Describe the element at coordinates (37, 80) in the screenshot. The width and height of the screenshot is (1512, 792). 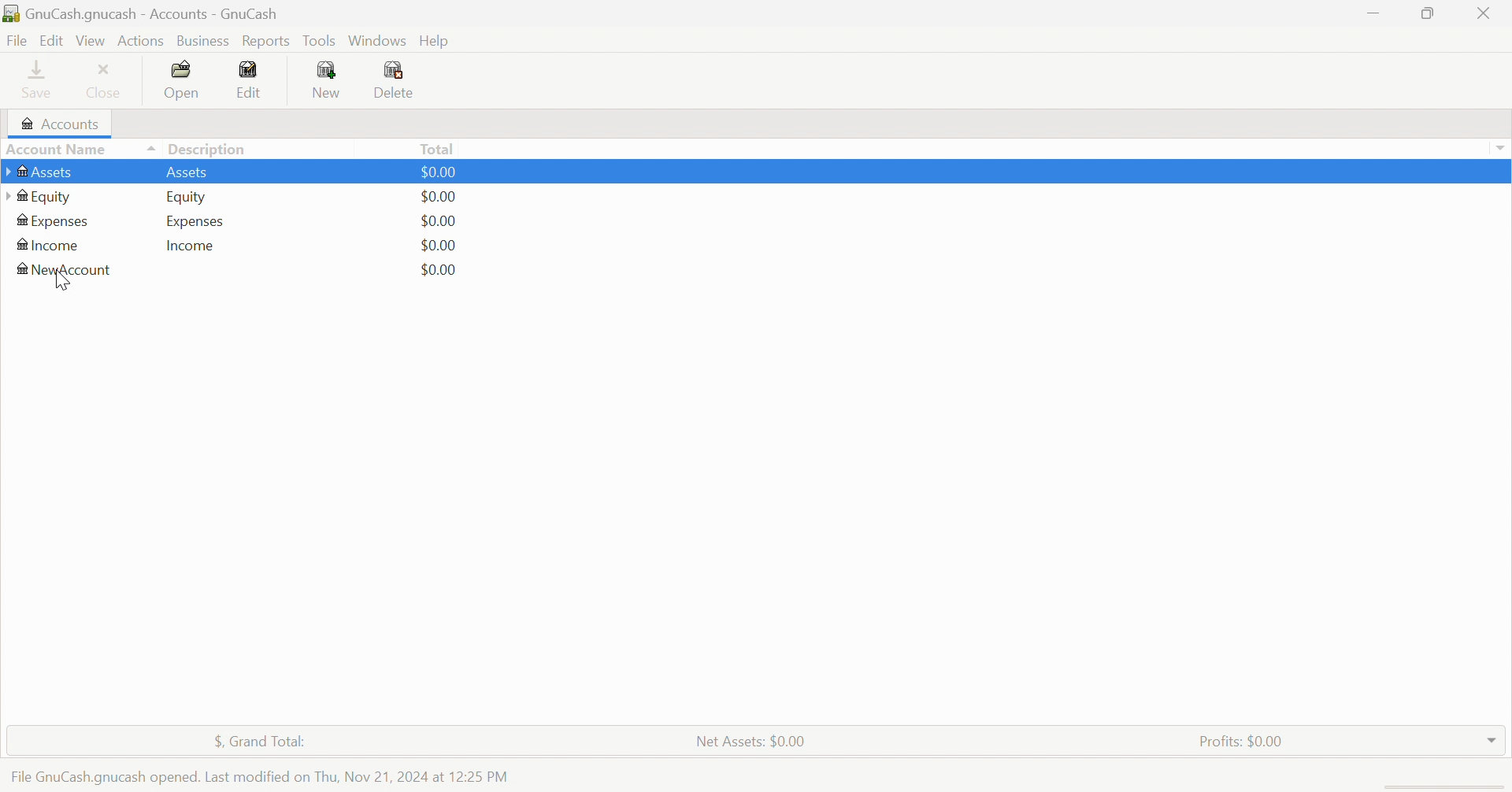
I see `Save` at that location.